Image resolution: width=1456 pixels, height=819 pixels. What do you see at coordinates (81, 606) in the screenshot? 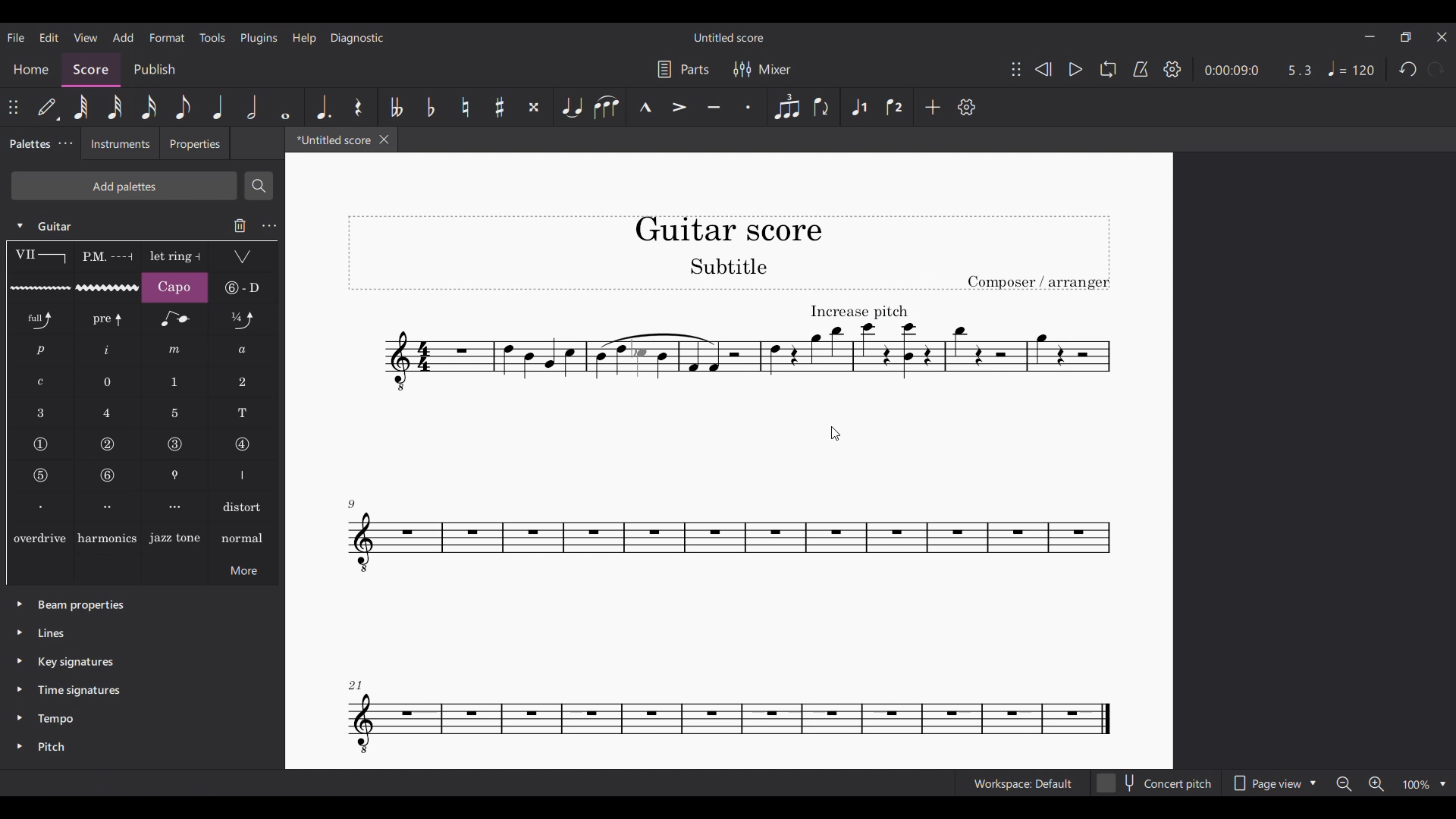
I see `Beam properties palette` at bounding box center [81, 606].